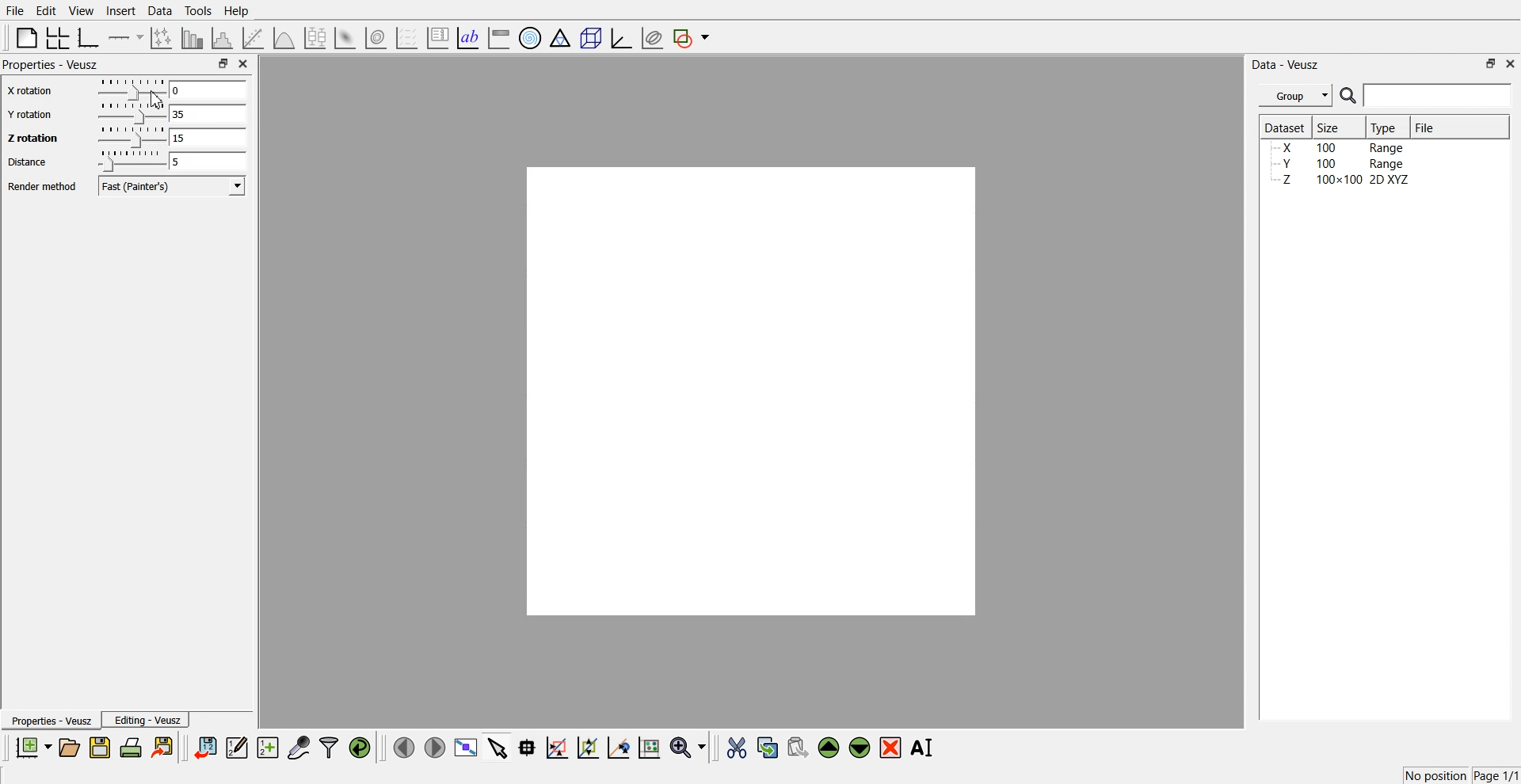  Describe the element at coordinates (768, 747) in the screenshot. I see `Copy the selected widget` at that location.